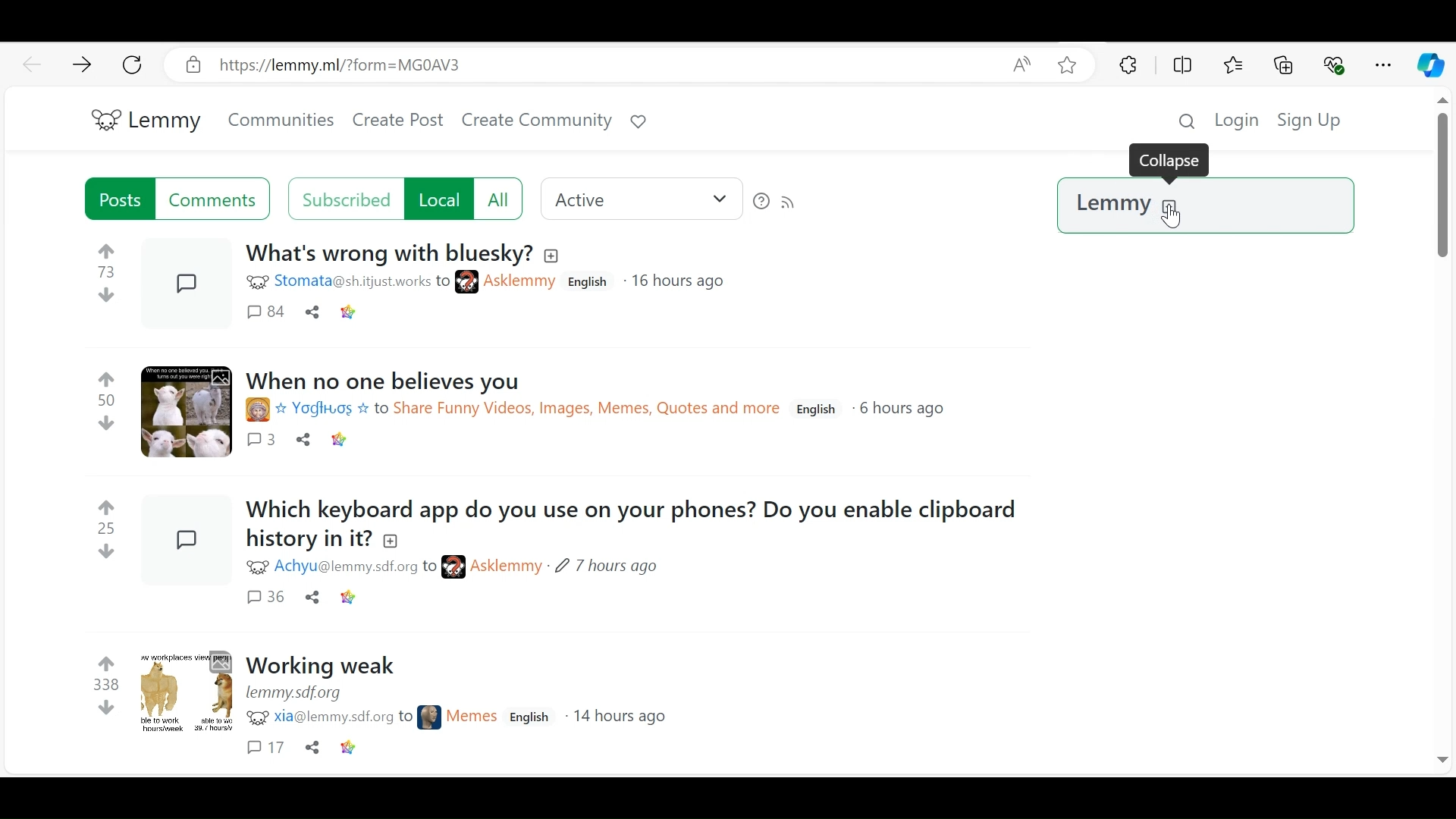 The height and width of the screenshot is (819, 1456). I want to click on Upvotes, so click(111, 374).